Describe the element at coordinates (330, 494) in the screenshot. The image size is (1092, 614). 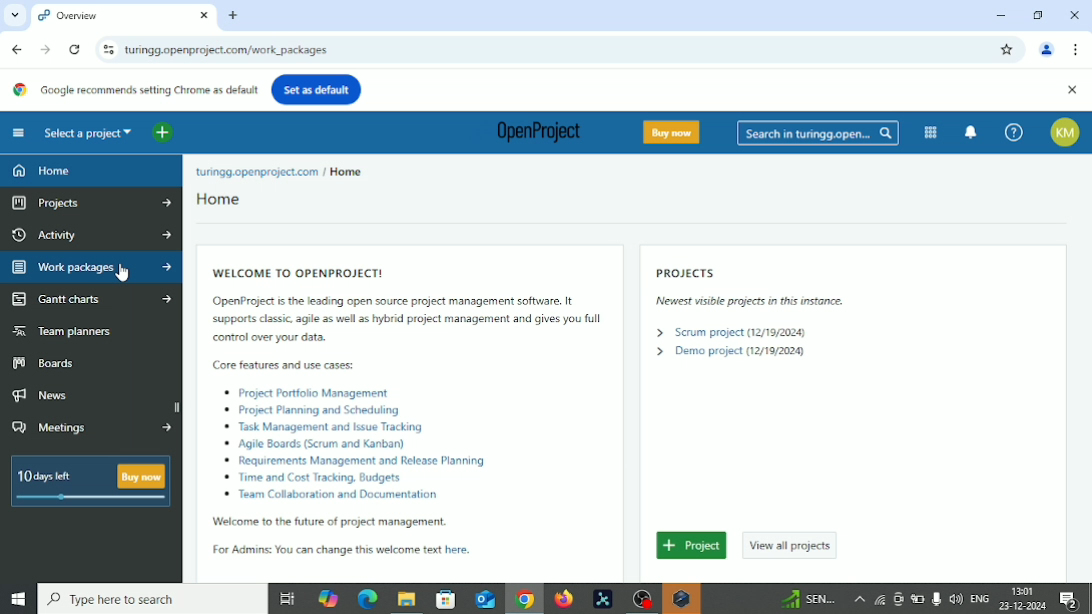
I see `® Team Collaboration and Documentation` at that location.